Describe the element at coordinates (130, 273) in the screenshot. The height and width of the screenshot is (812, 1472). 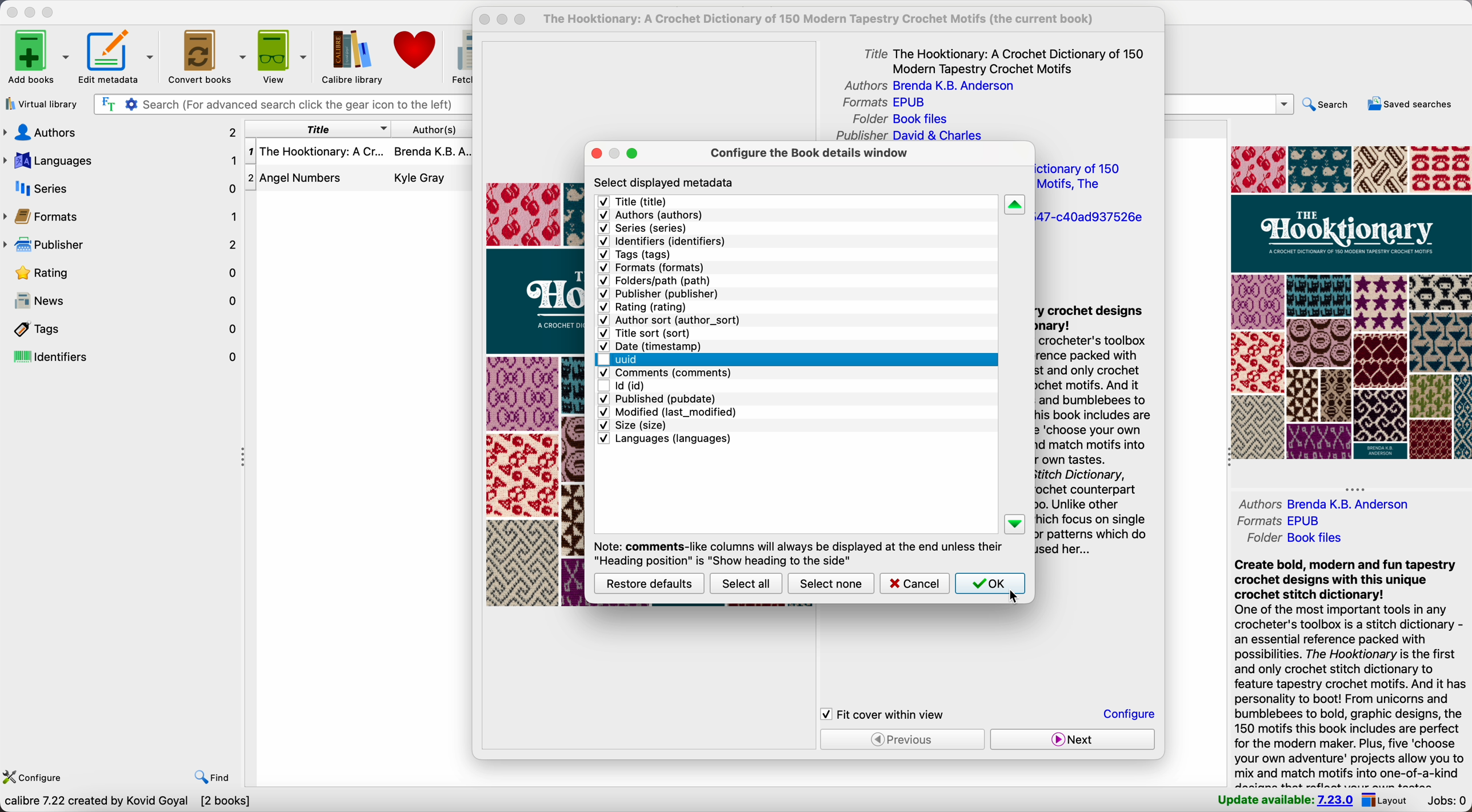
I see `rating` at that location.